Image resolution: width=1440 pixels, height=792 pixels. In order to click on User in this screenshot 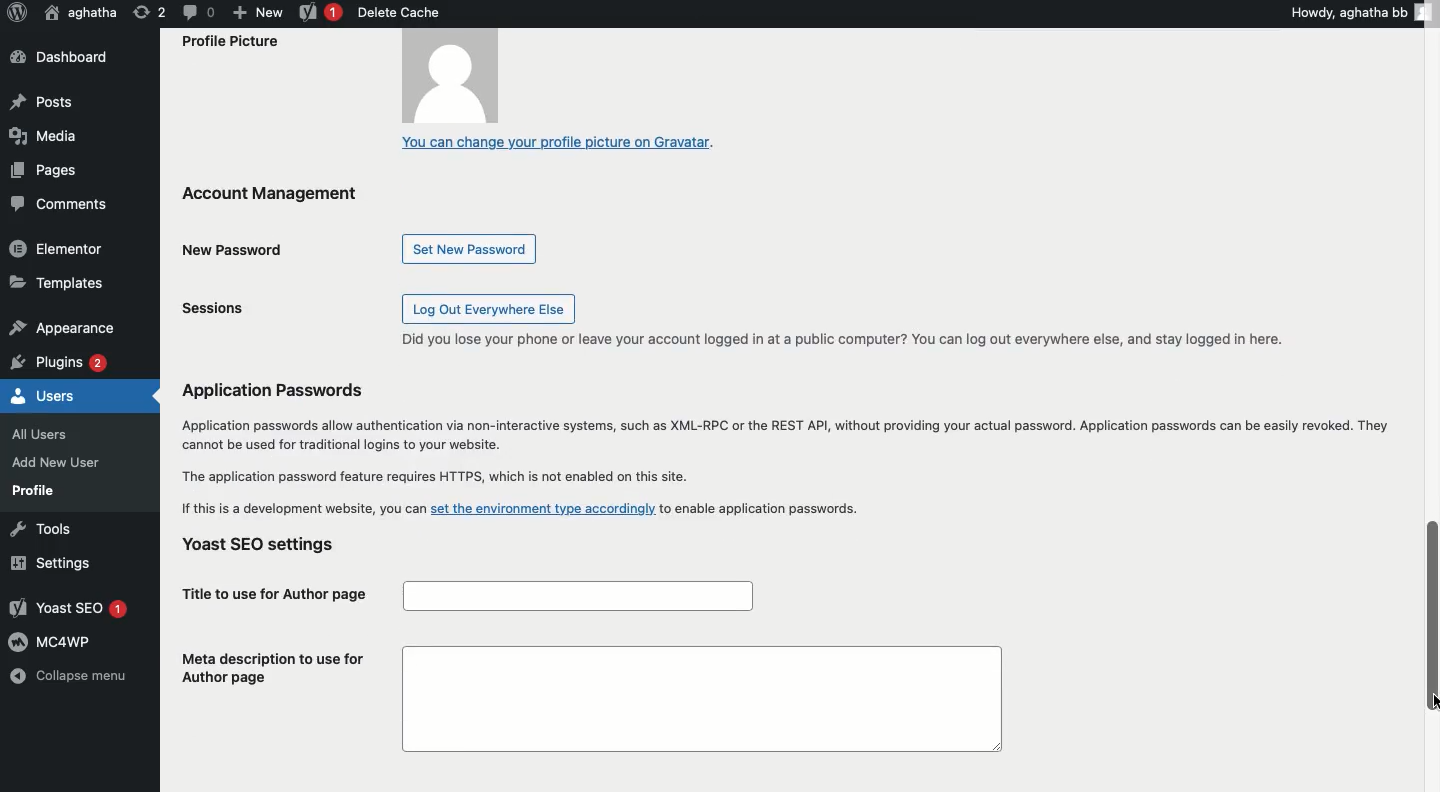, I will do `click(82, 12)`.